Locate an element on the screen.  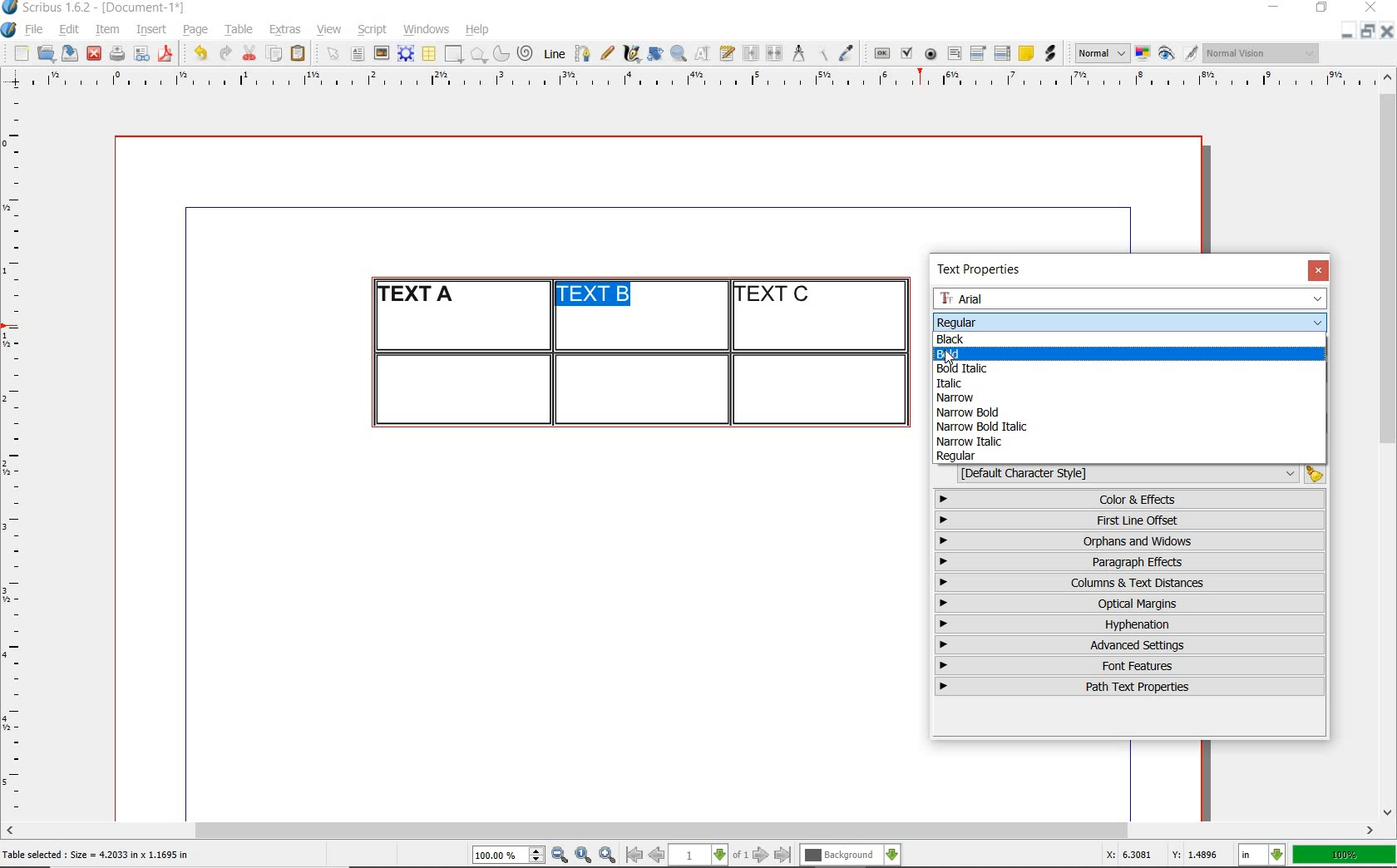
pdf list box is located at coordinates (1003, 53).